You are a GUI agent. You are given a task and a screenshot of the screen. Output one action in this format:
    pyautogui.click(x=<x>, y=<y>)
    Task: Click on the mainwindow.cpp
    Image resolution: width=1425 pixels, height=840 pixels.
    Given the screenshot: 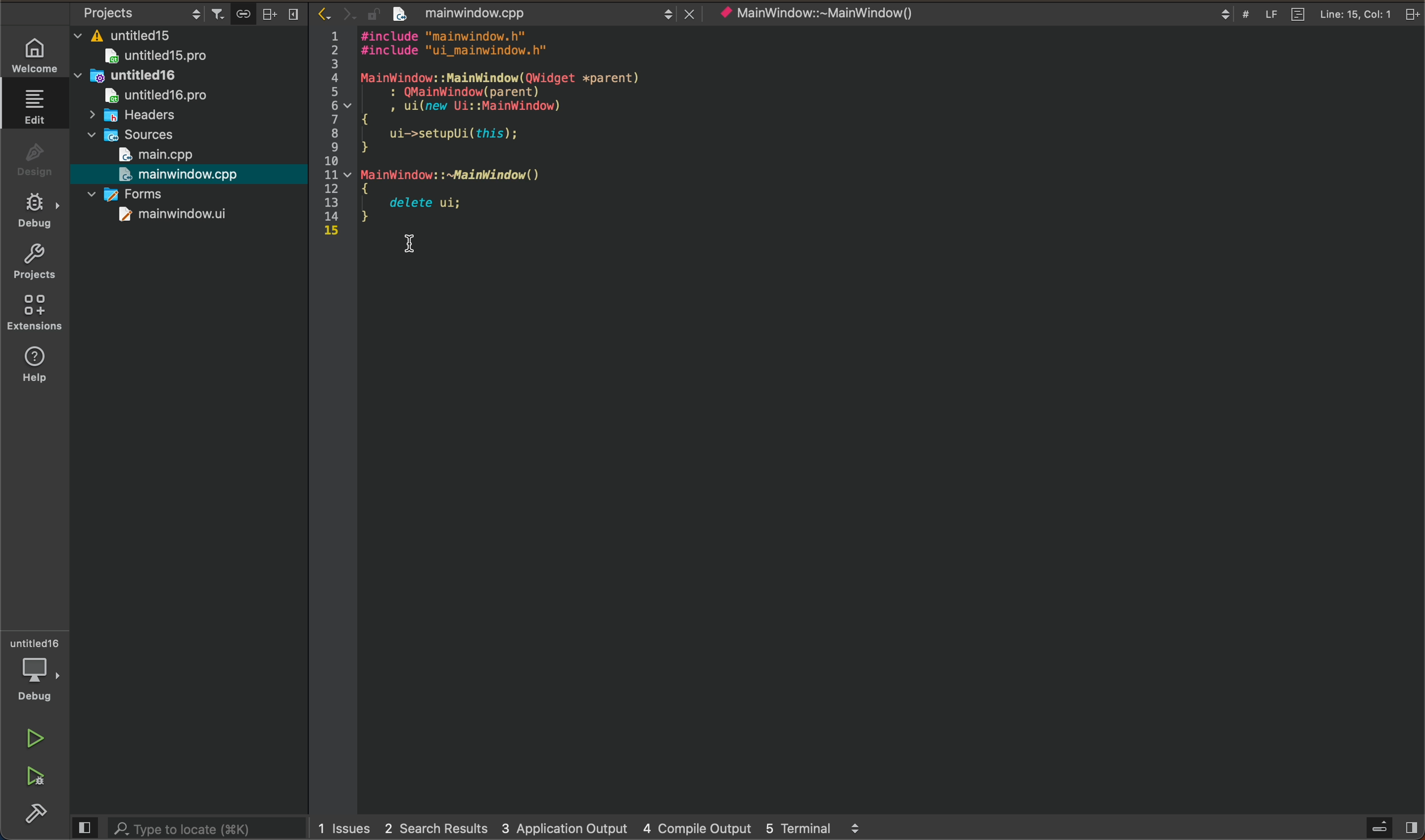 What is the action you would take?
    pyautogui.click(x=545, y=14)
    